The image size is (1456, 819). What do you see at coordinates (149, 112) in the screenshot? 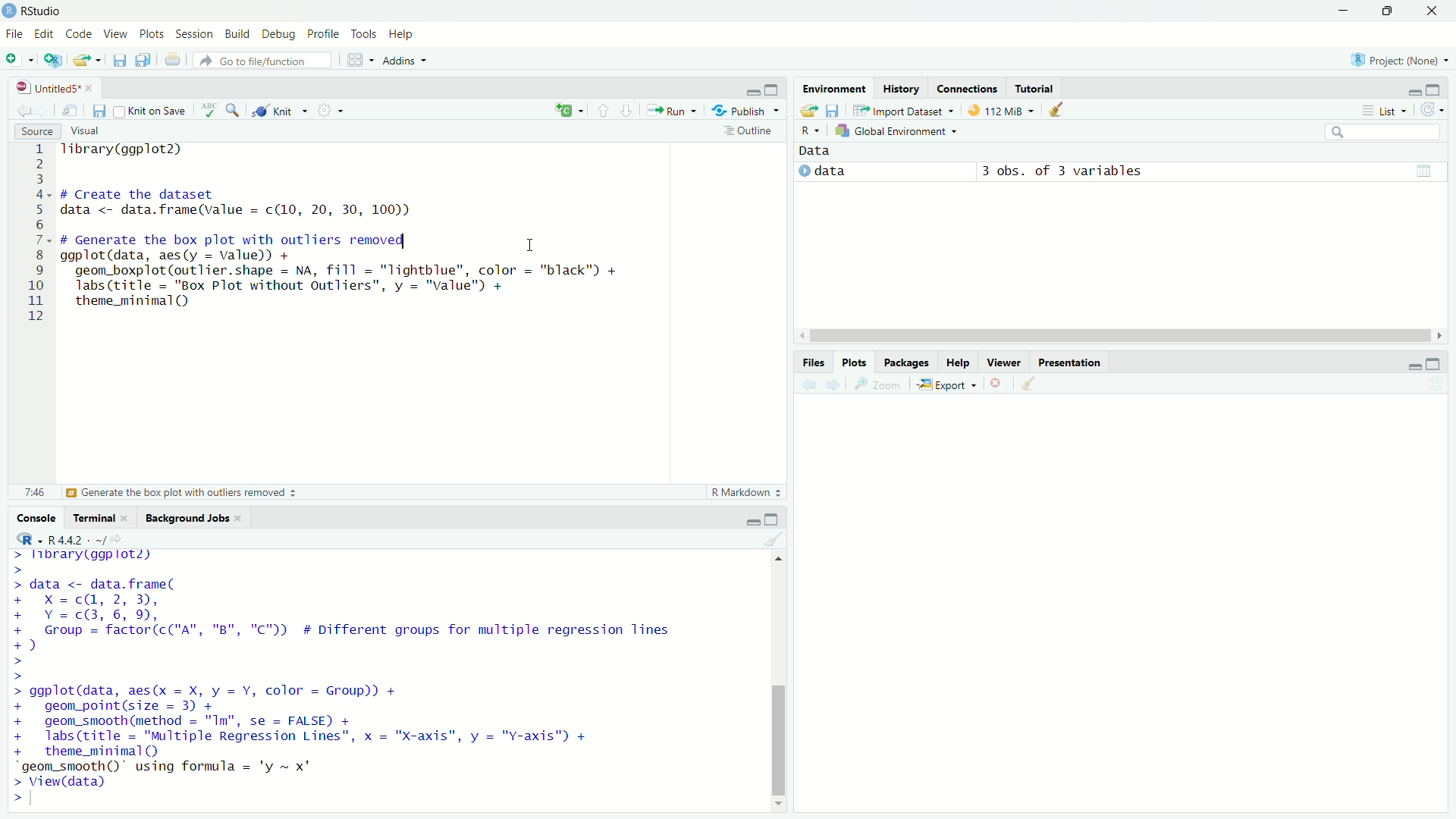
I see `Knit on Save` at bounding box center [149, 112].